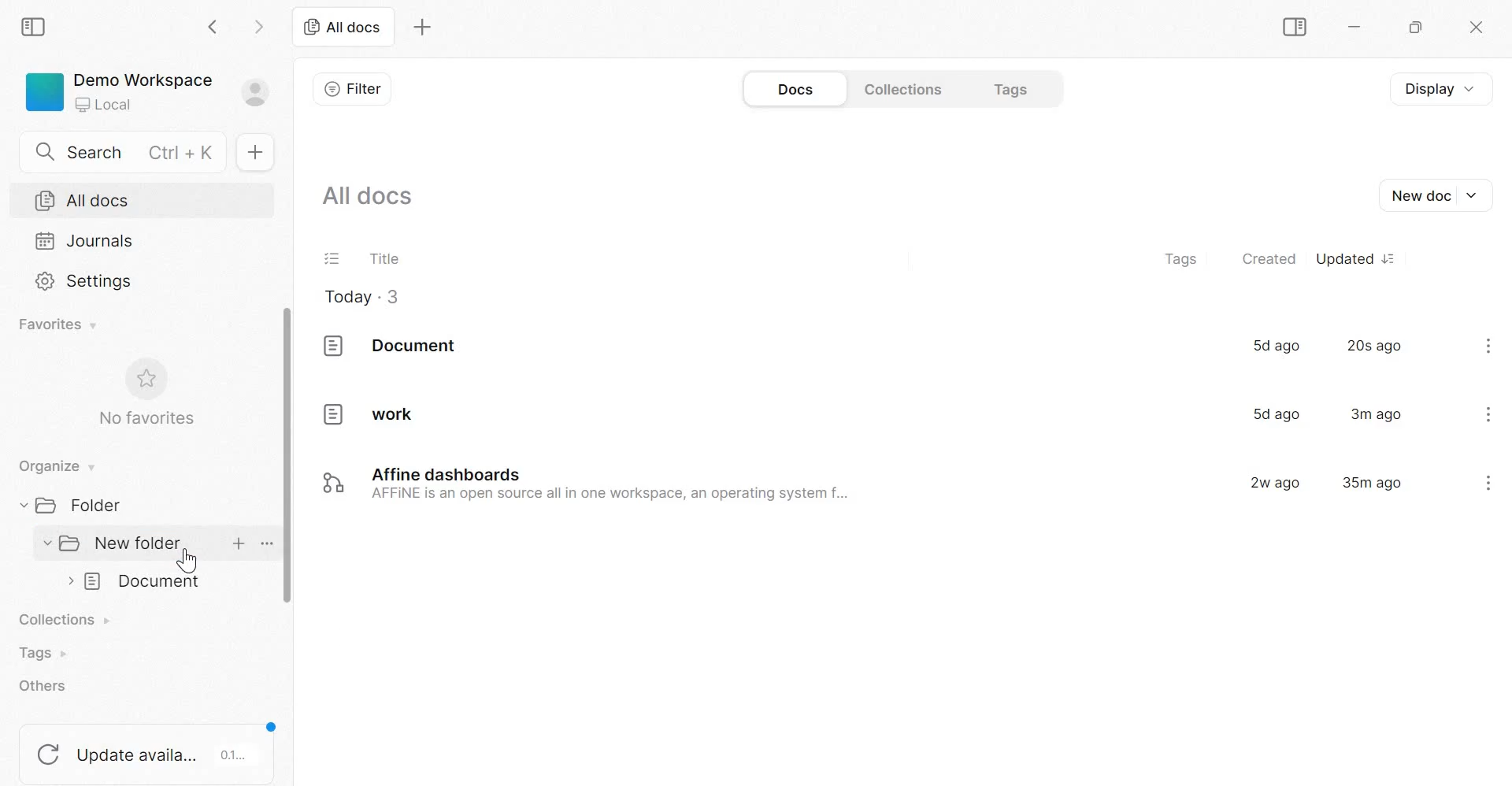  What do you see at coordinates (793, 87) in the screenshot?
I see `Docs` at bounding box center [793, 87].